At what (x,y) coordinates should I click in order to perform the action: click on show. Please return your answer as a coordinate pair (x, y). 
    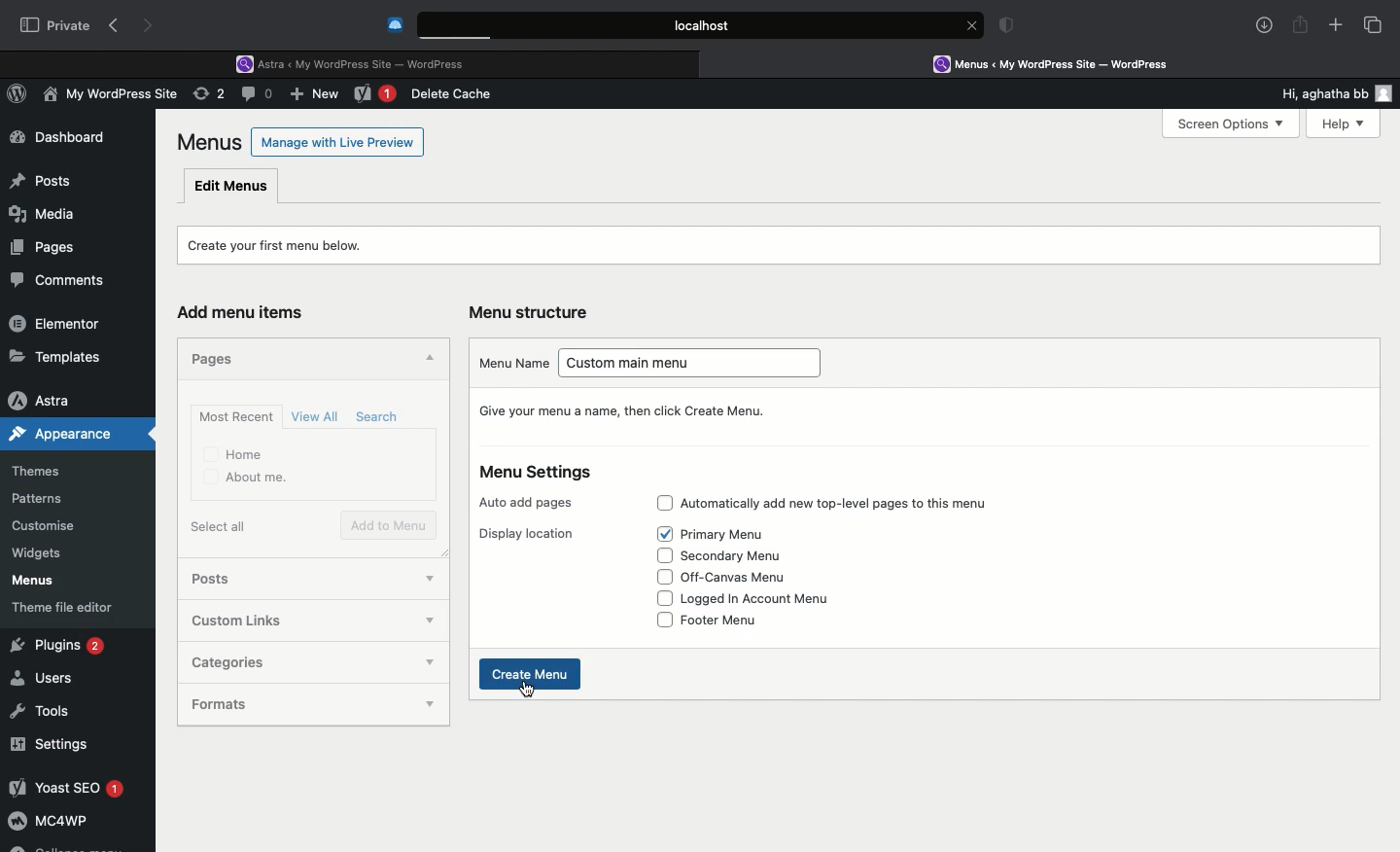
    Looking at the image, I should click on (428, 663).